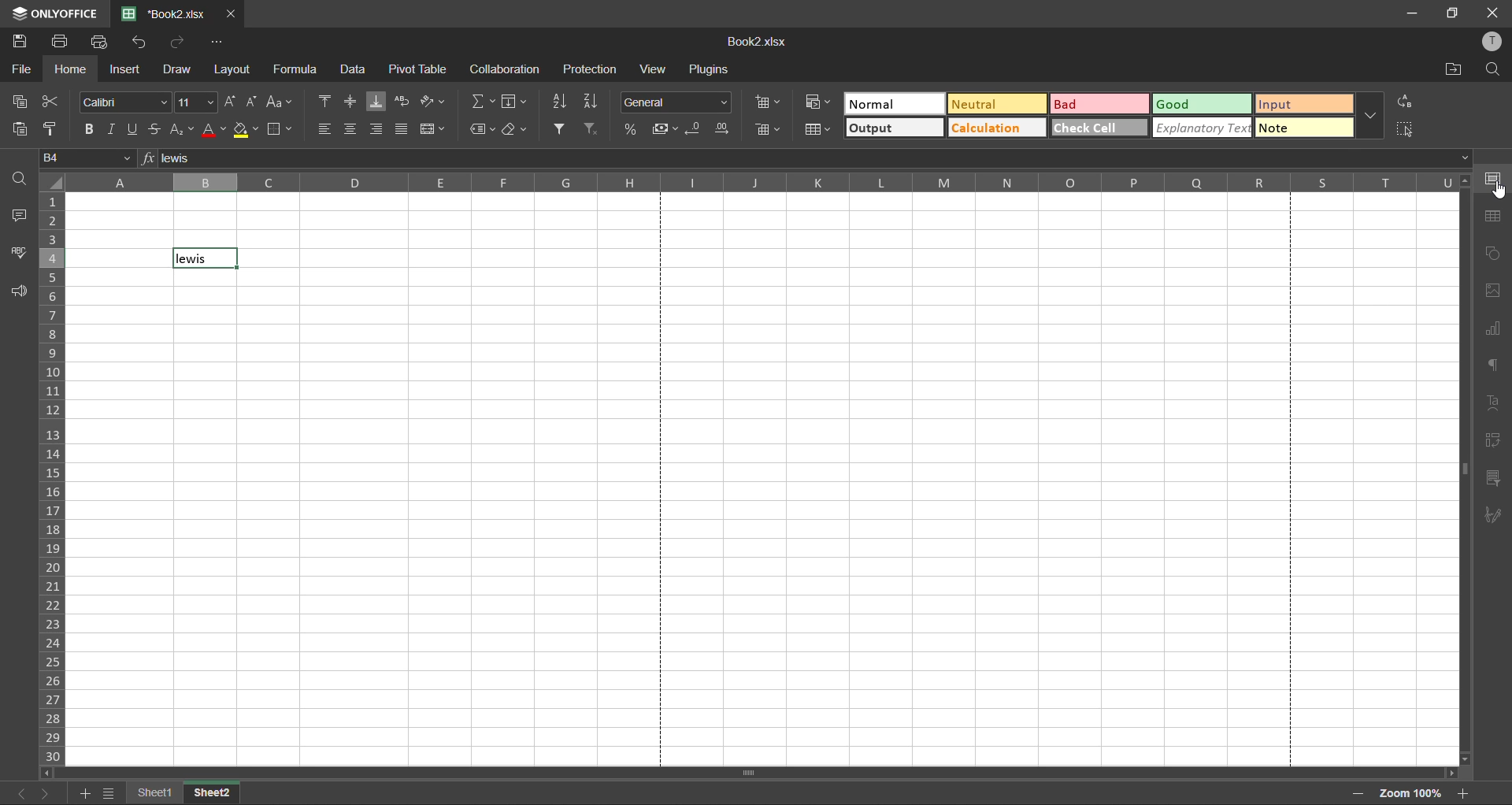 This screenshot has height=805, width=1512. What do you see at coordinates (297, 70) in the screenshot?
I see `formula` at bounding box center [297, 70].